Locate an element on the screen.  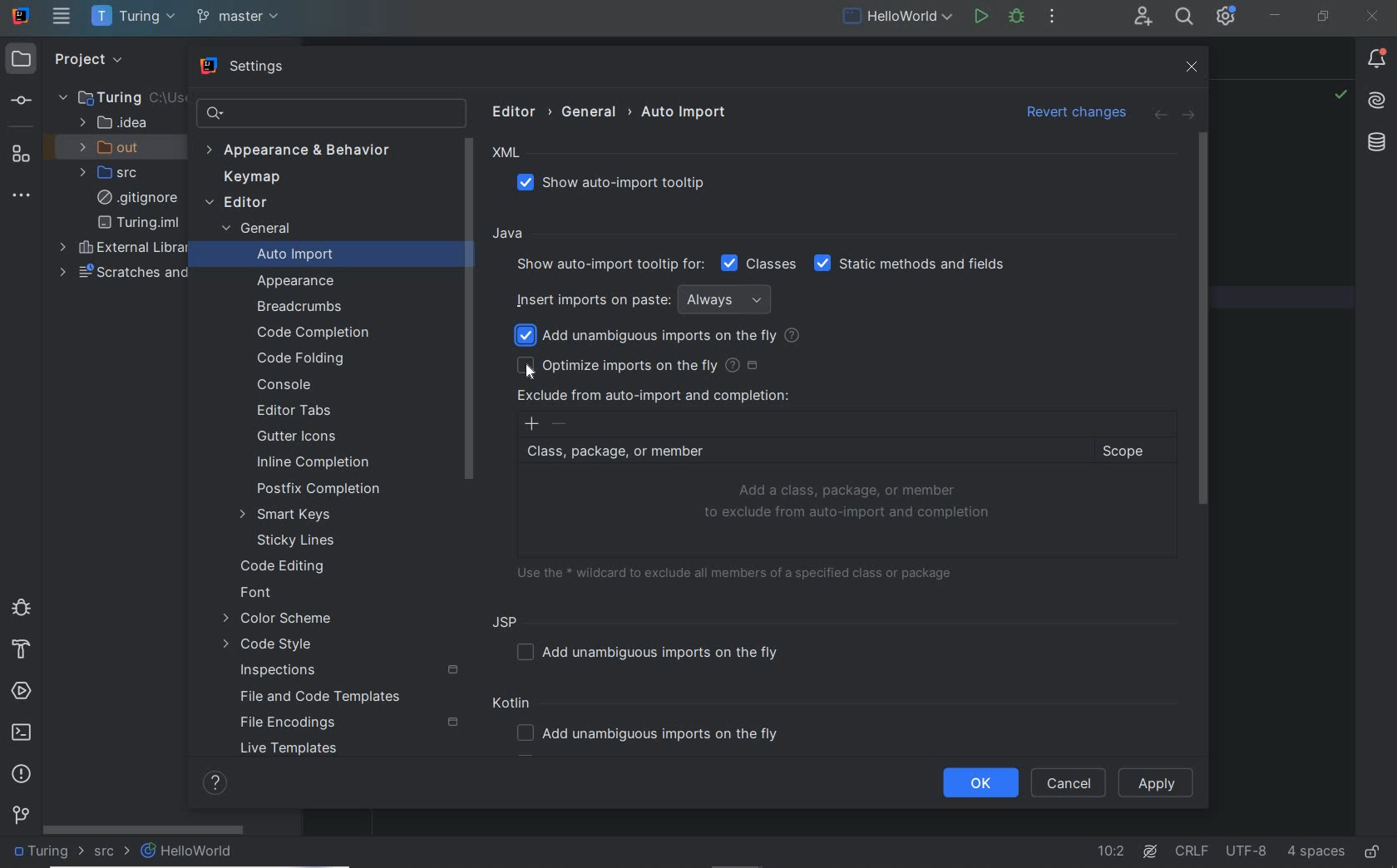
SRC is located at coordinates (112, 852).